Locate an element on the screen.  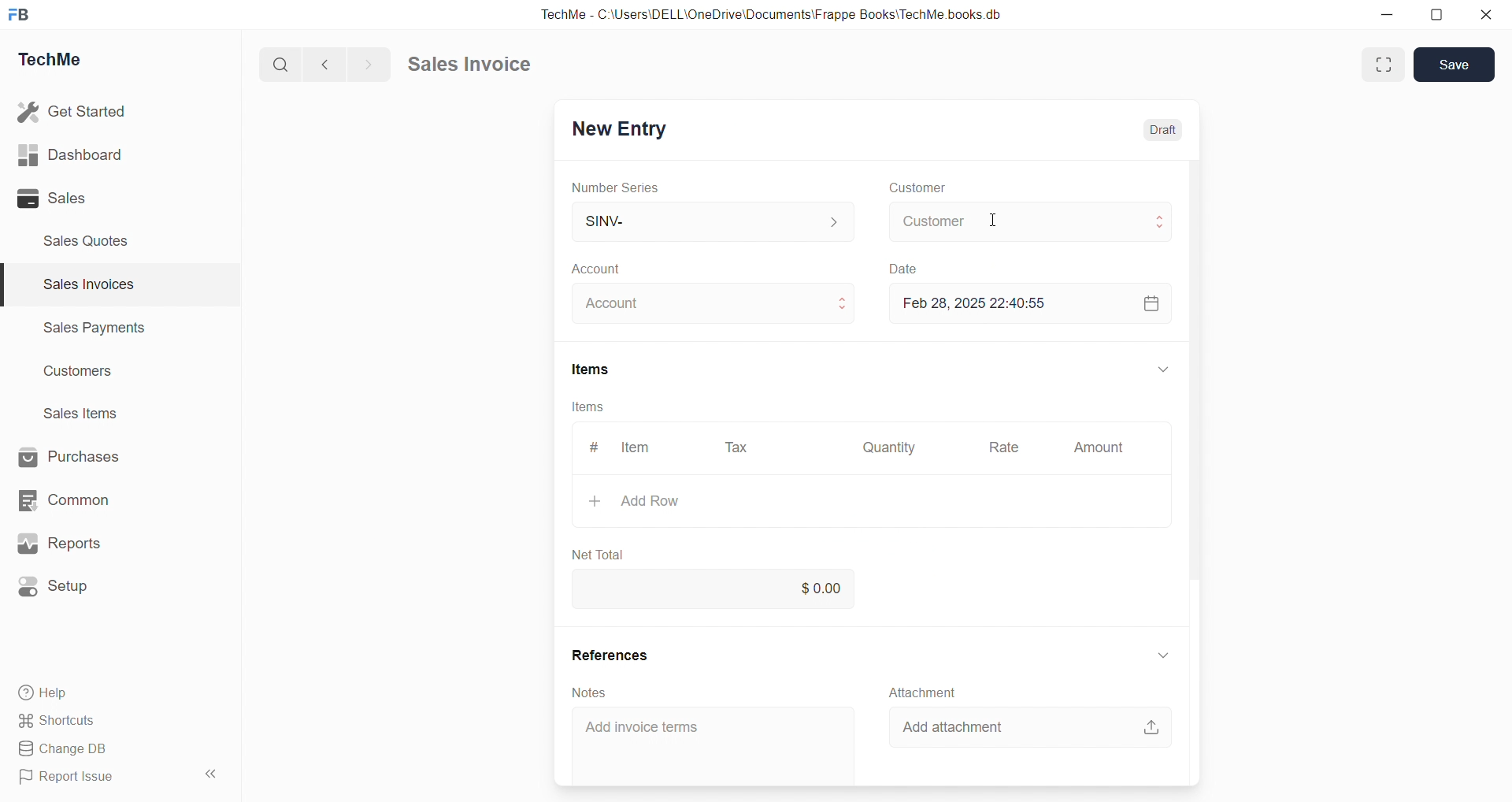
back is located at coordinates (321, 64).